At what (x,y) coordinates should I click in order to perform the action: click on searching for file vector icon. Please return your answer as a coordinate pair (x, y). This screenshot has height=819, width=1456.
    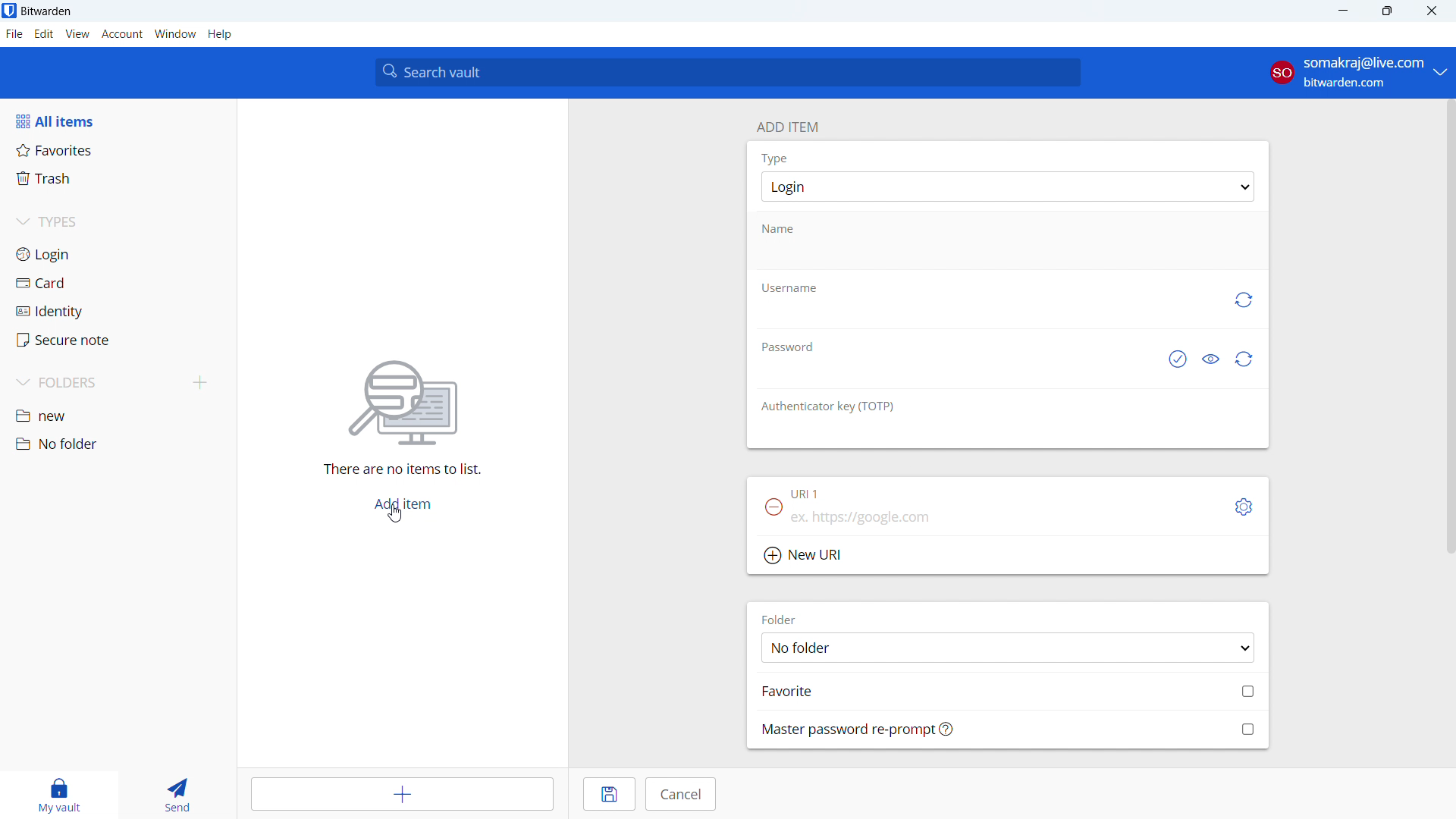
    Looking at the image, I should click on (402, 403).